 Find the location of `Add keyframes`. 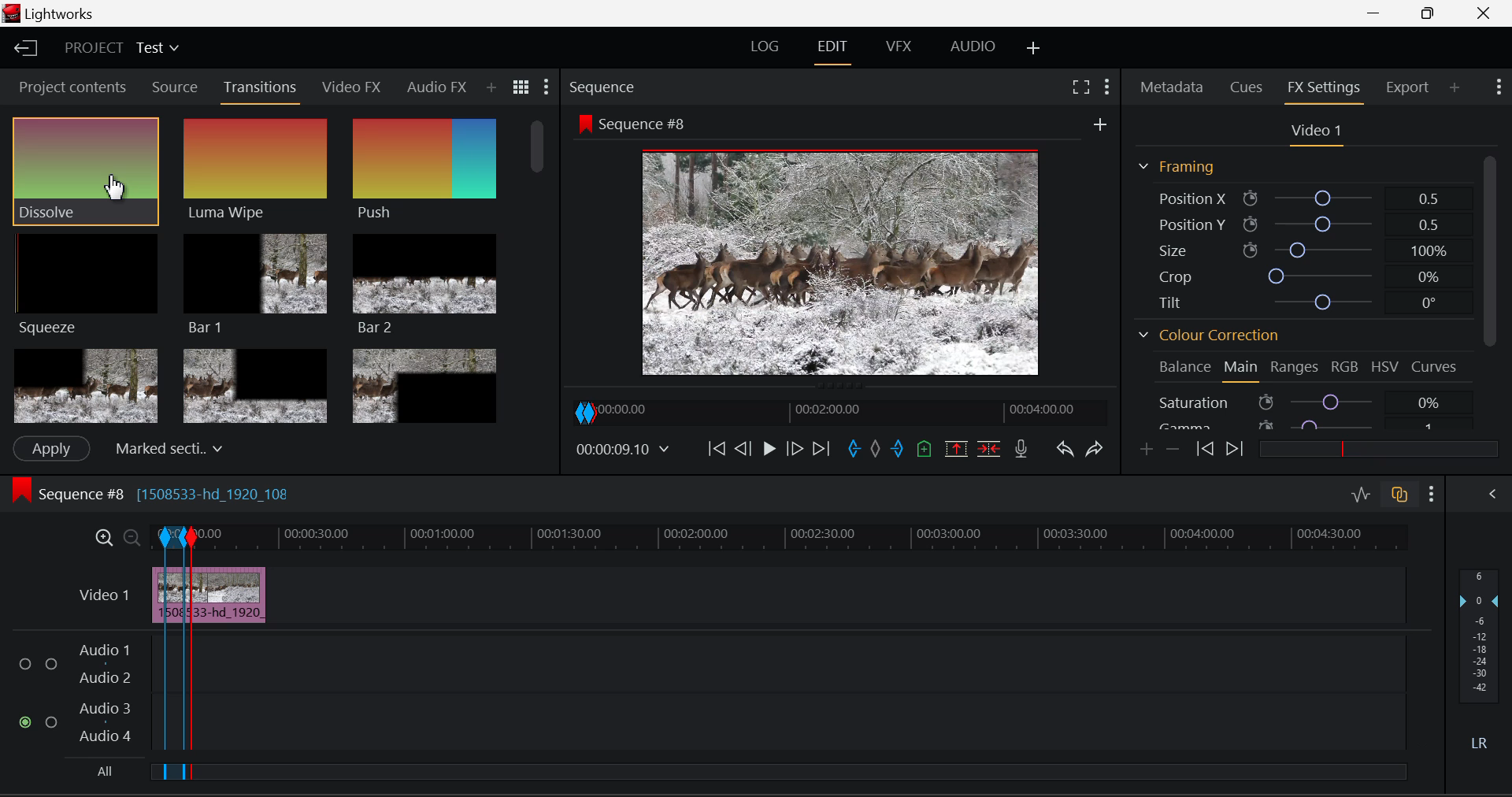

Add keyframes is located at coordinates (1147, 450).